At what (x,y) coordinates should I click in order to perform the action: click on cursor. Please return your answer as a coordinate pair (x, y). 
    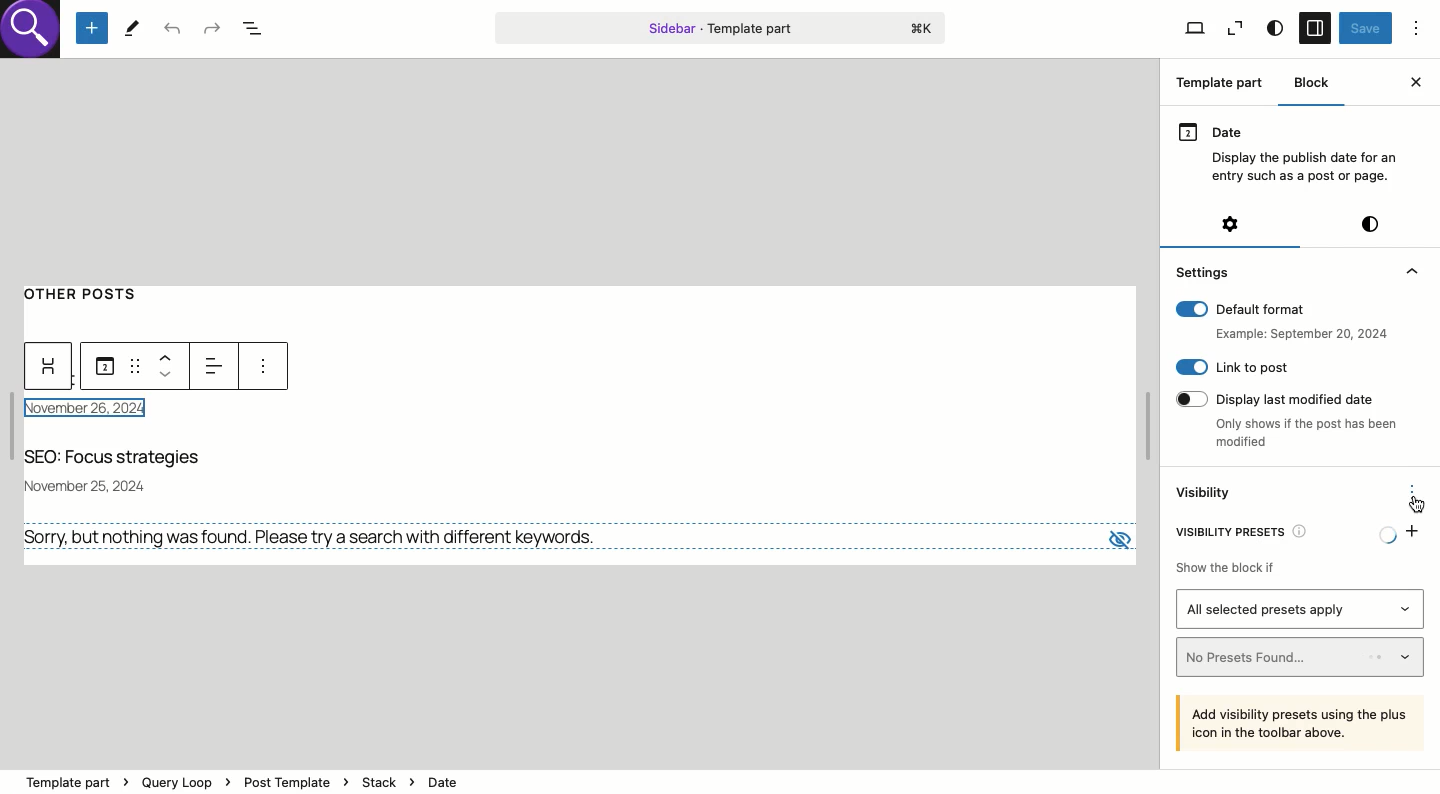
    Looking at the image, I should click on (1416, 504).